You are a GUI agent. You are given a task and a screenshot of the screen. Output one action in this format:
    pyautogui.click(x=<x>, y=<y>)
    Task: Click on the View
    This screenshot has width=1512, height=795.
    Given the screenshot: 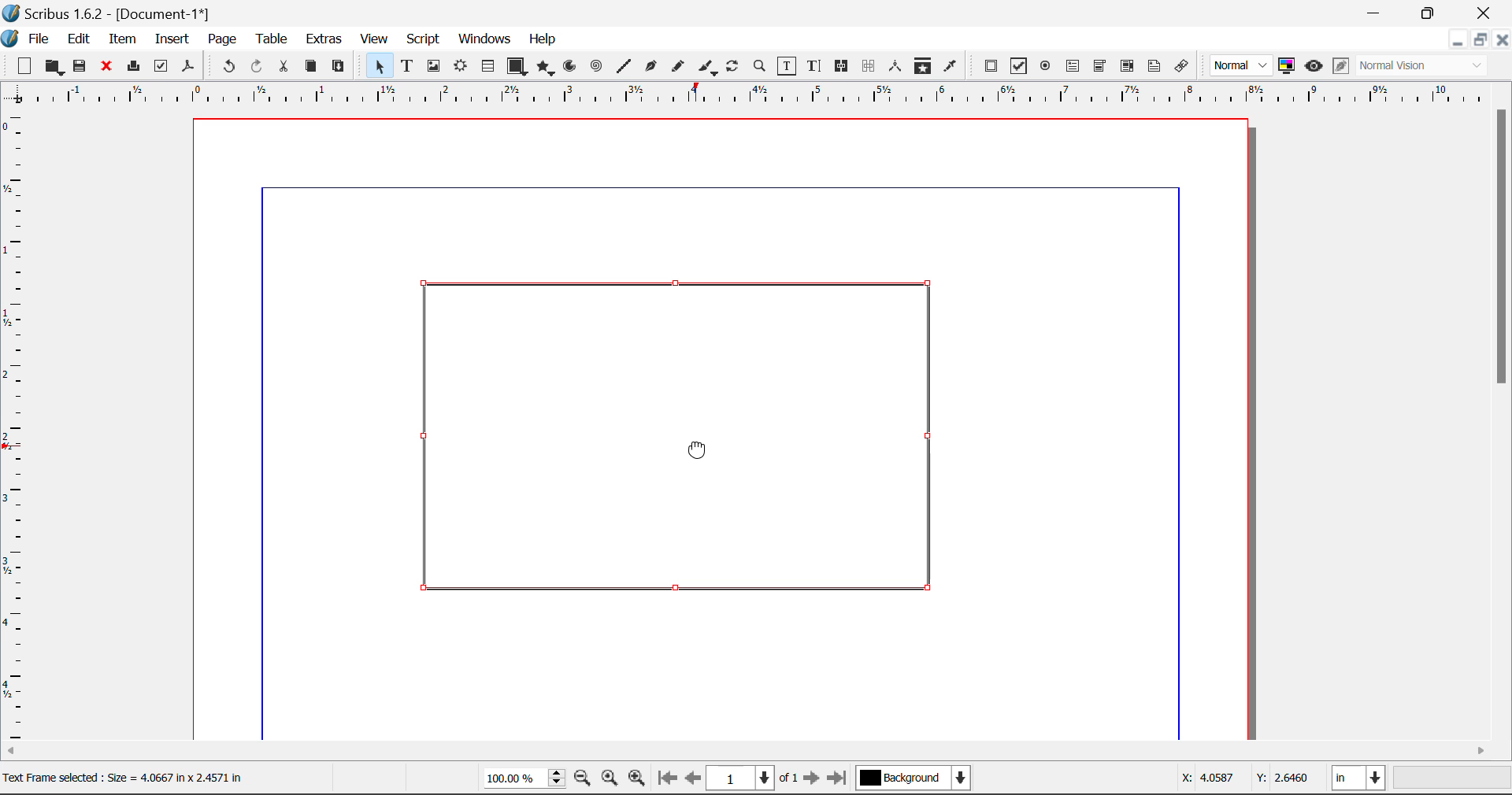 What is the action you would take?
    pyautogui.click(x=375, y=40)
    